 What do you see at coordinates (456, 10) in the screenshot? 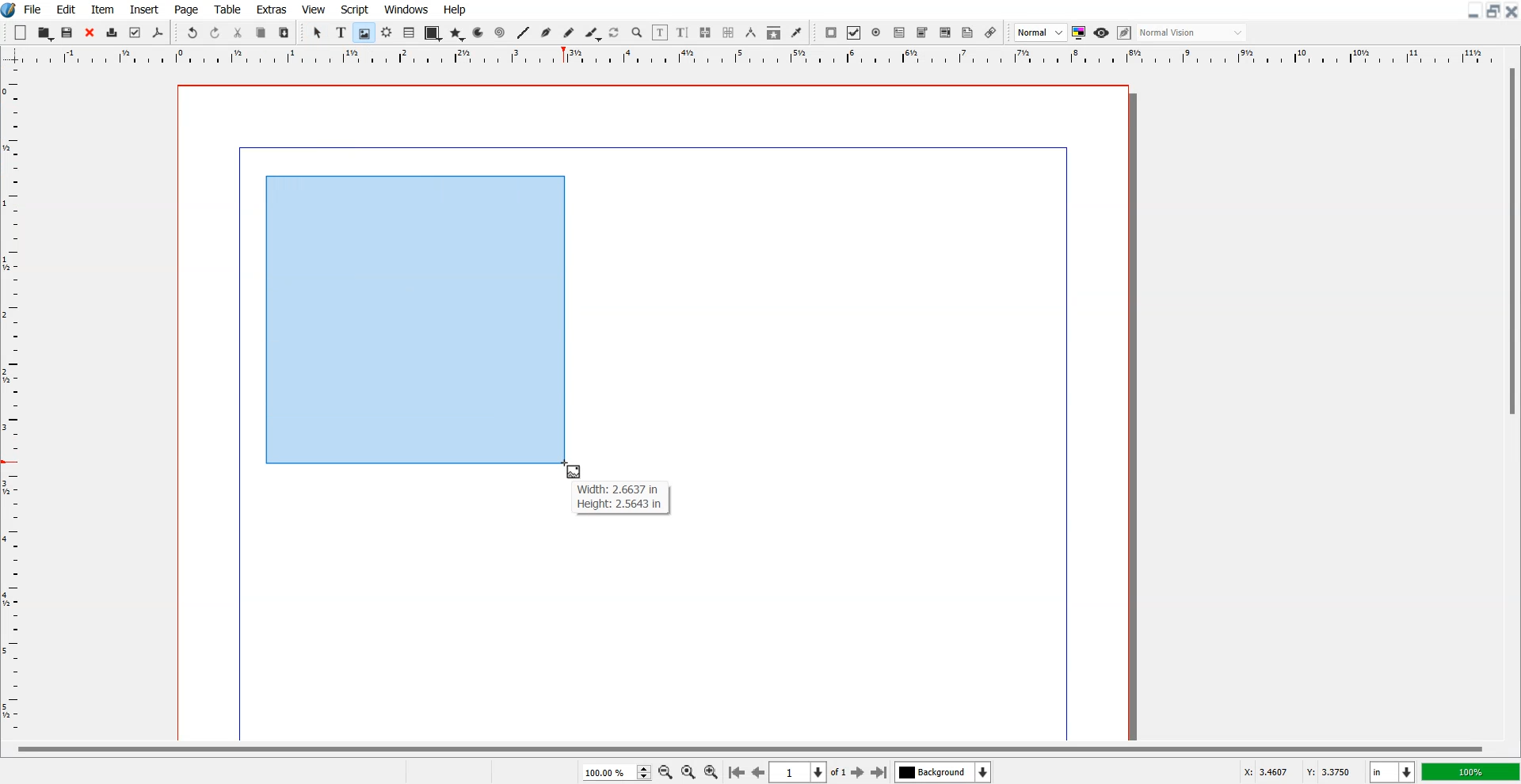
I see `Help` at bounding box center [456, 10].